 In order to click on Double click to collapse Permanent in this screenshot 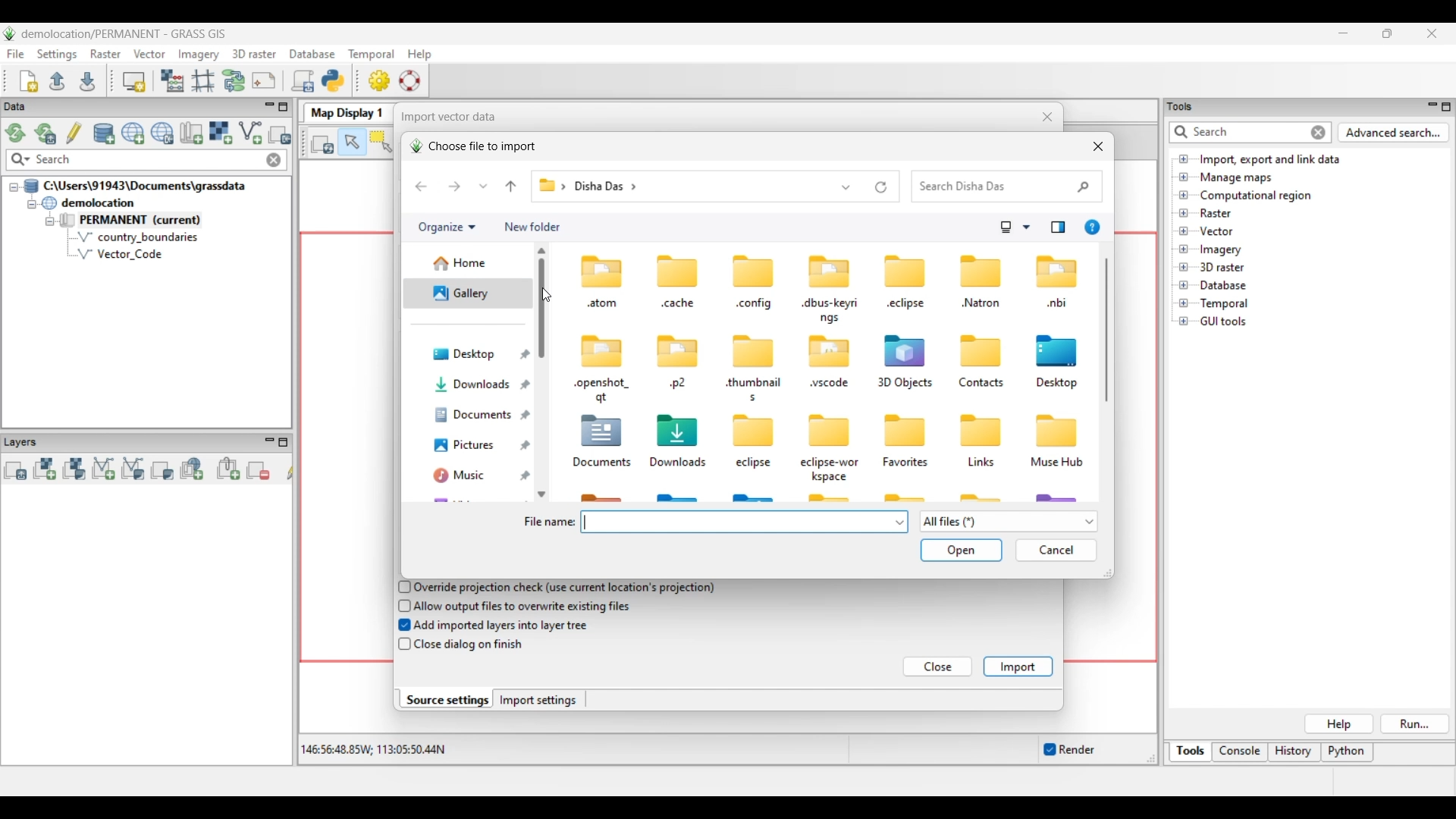, I will do `click(151, 221)`.